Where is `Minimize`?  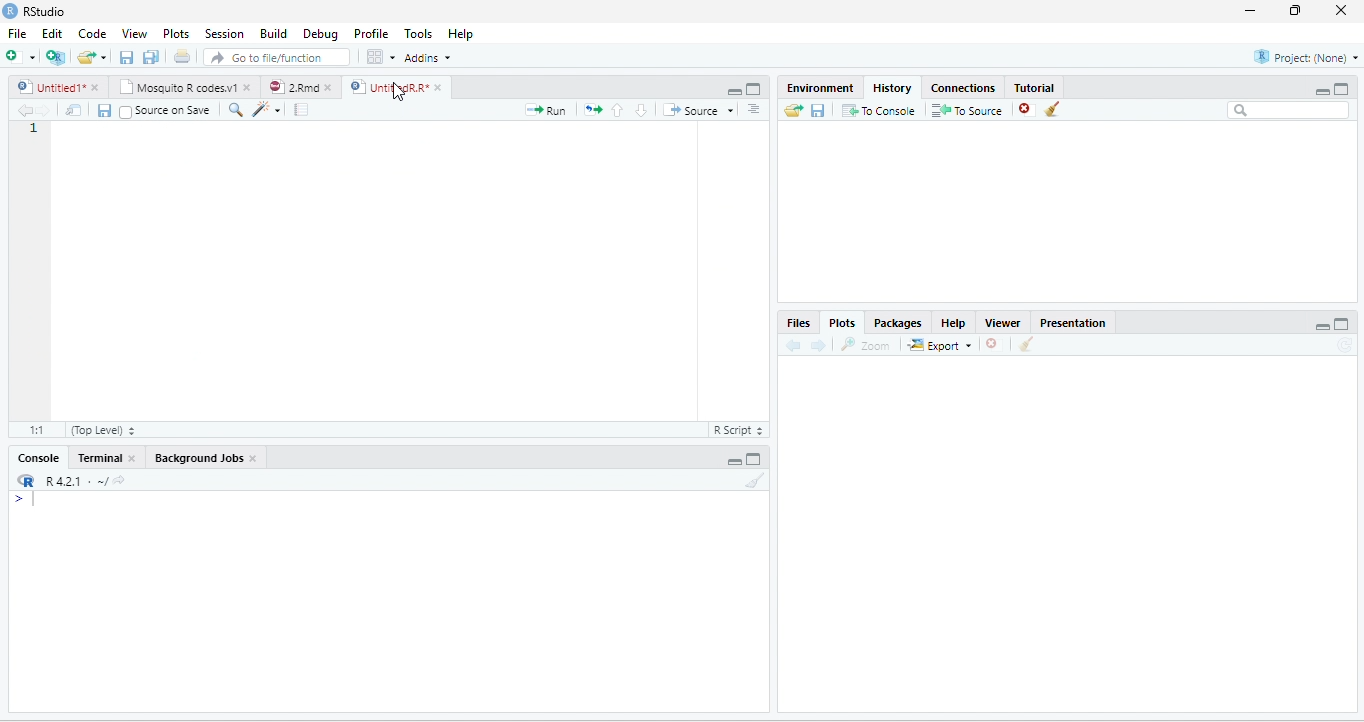 Minimize is located at coordinates (733, 461).